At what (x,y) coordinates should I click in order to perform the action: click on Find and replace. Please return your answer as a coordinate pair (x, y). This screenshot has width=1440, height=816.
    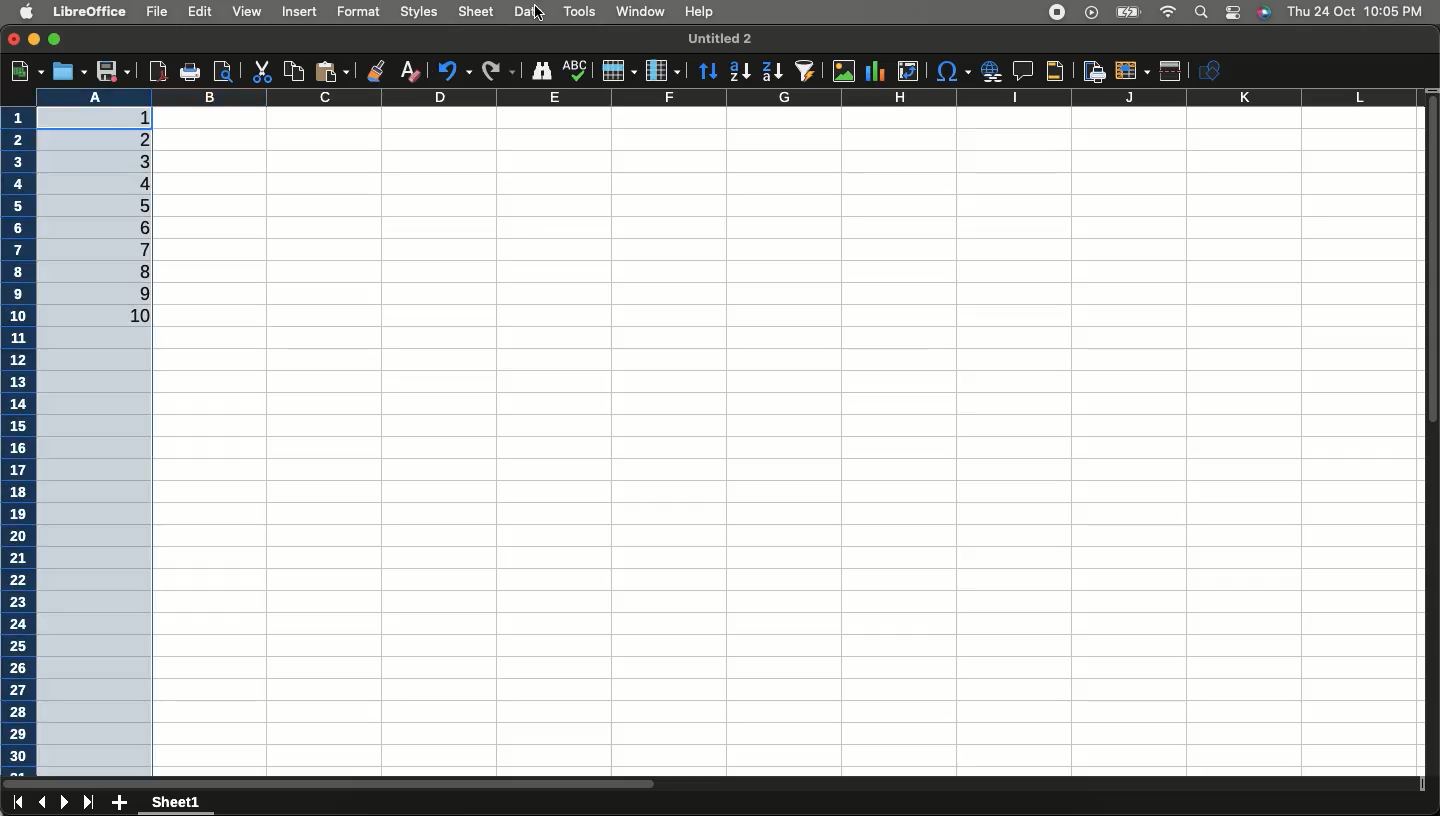
    Looking at the image, I should click on (542, 71).